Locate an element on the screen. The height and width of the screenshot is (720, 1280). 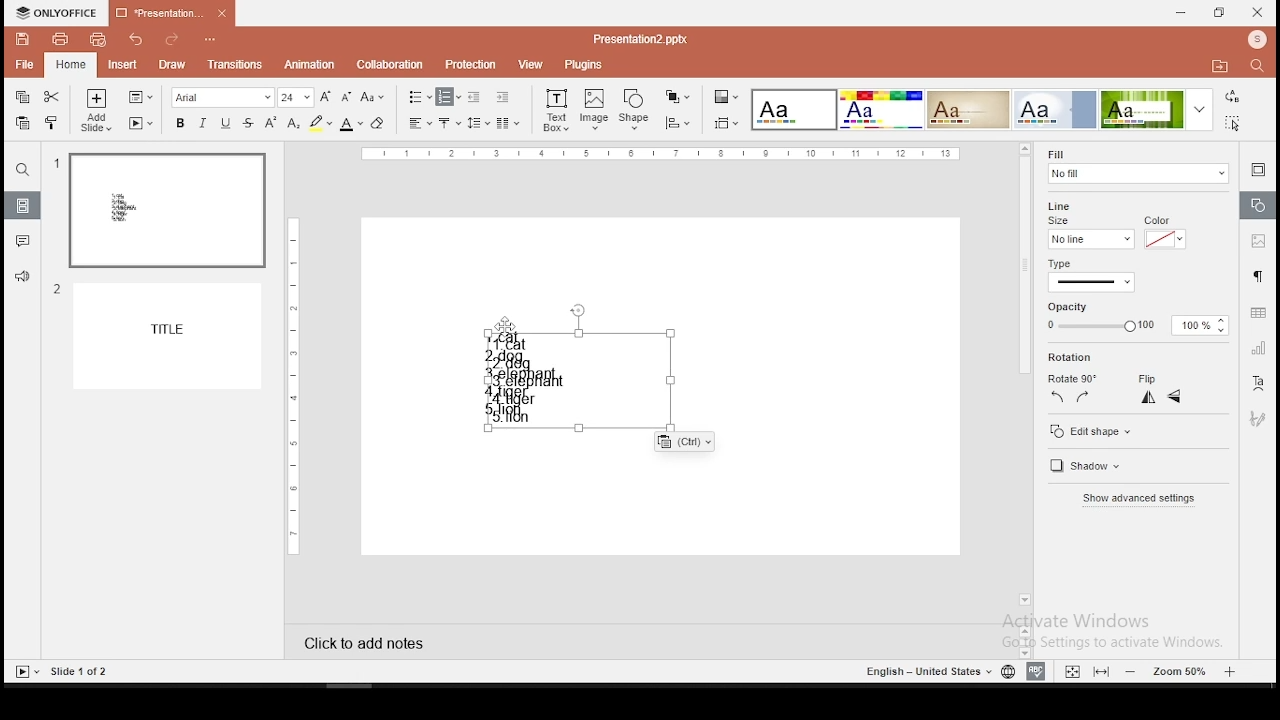
spell check is located at coordinates (1039, 672).